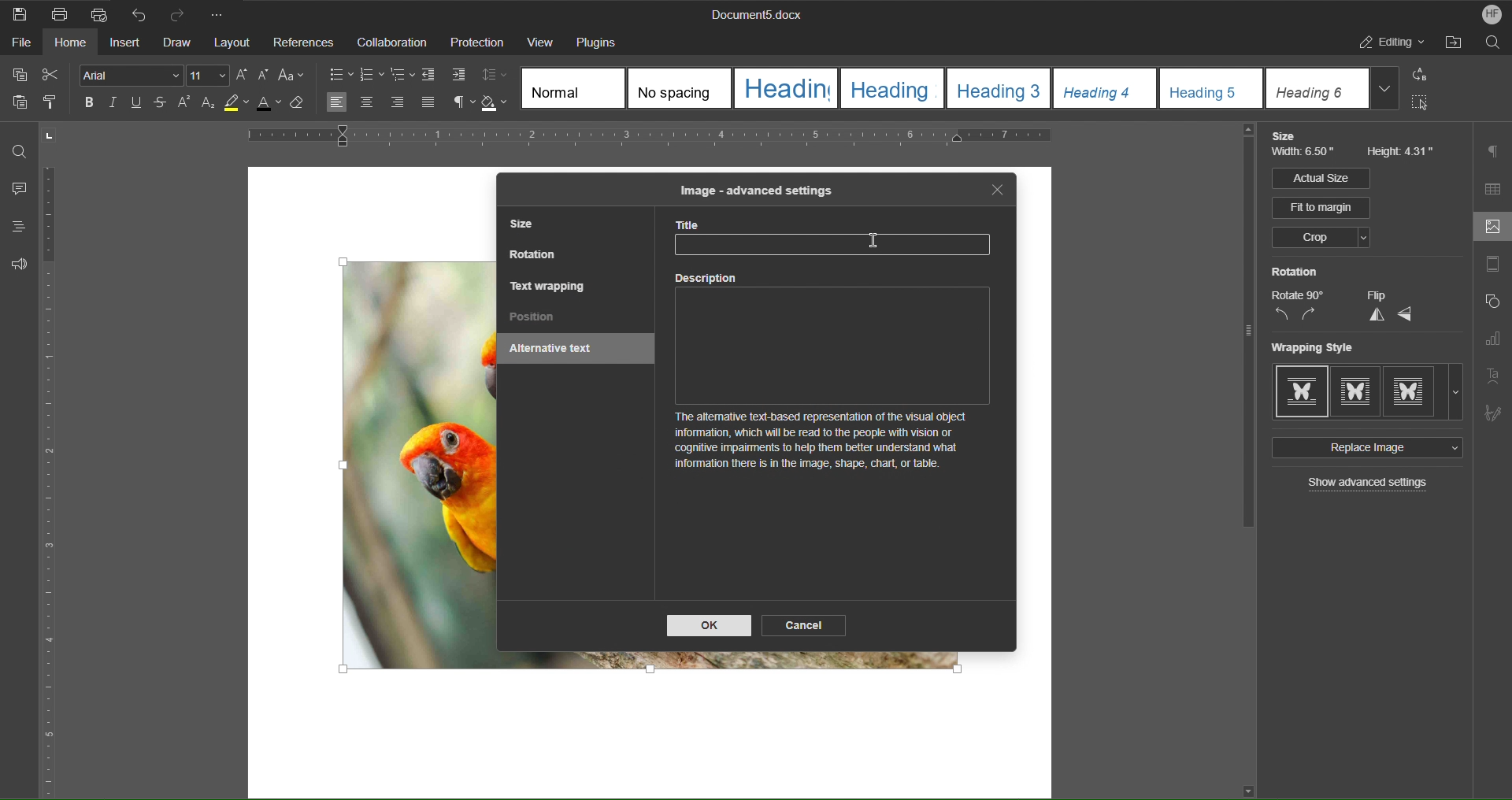 This screenshot has width=1512, height=800. I want to click on Redo, so click(183, 13).